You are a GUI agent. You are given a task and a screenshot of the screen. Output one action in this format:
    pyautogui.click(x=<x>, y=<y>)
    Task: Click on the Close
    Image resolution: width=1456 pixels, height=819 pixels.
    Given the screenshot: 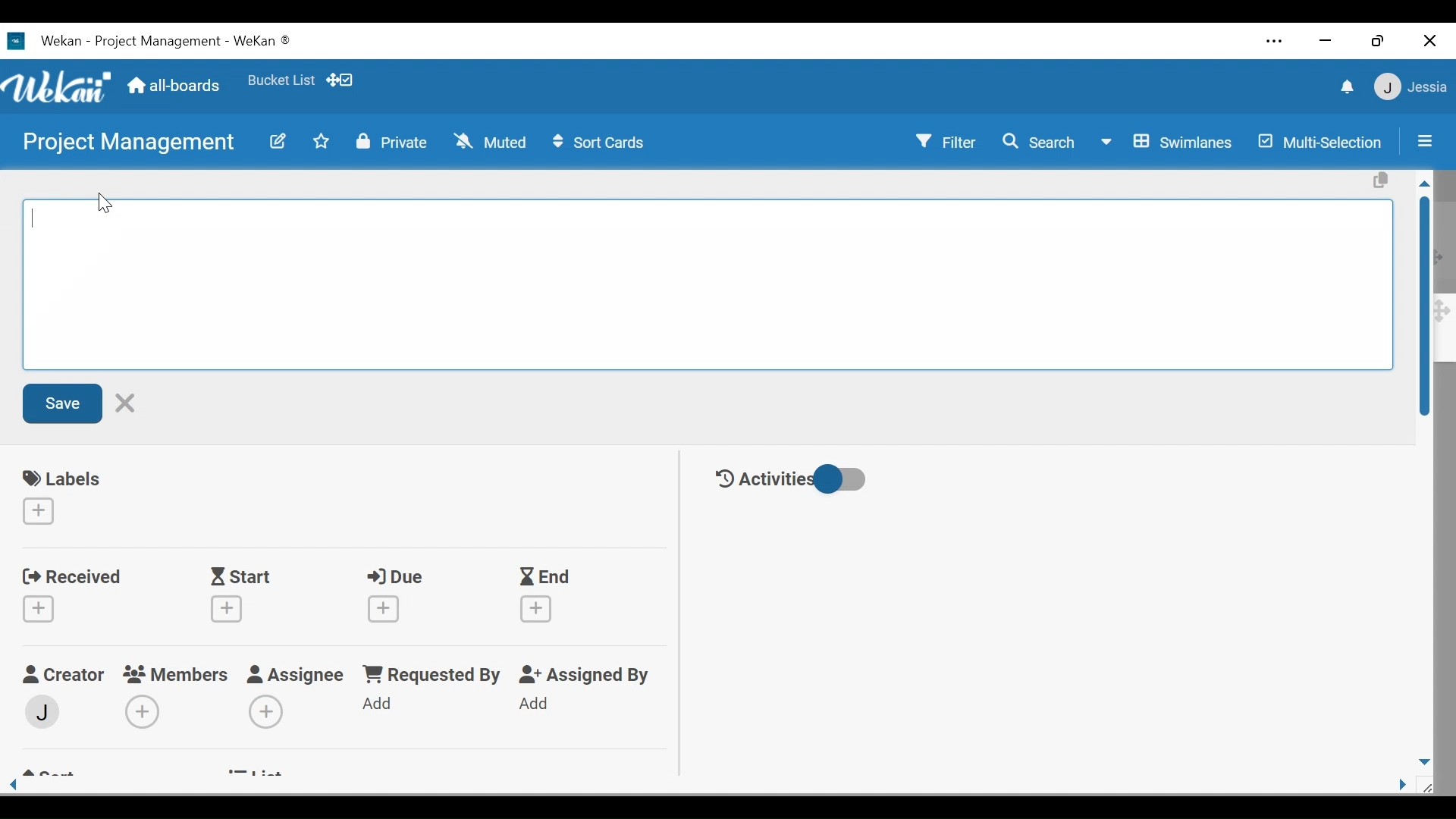 What is the action you would take?
    pyautogui.click(x=1427, y=39)
    